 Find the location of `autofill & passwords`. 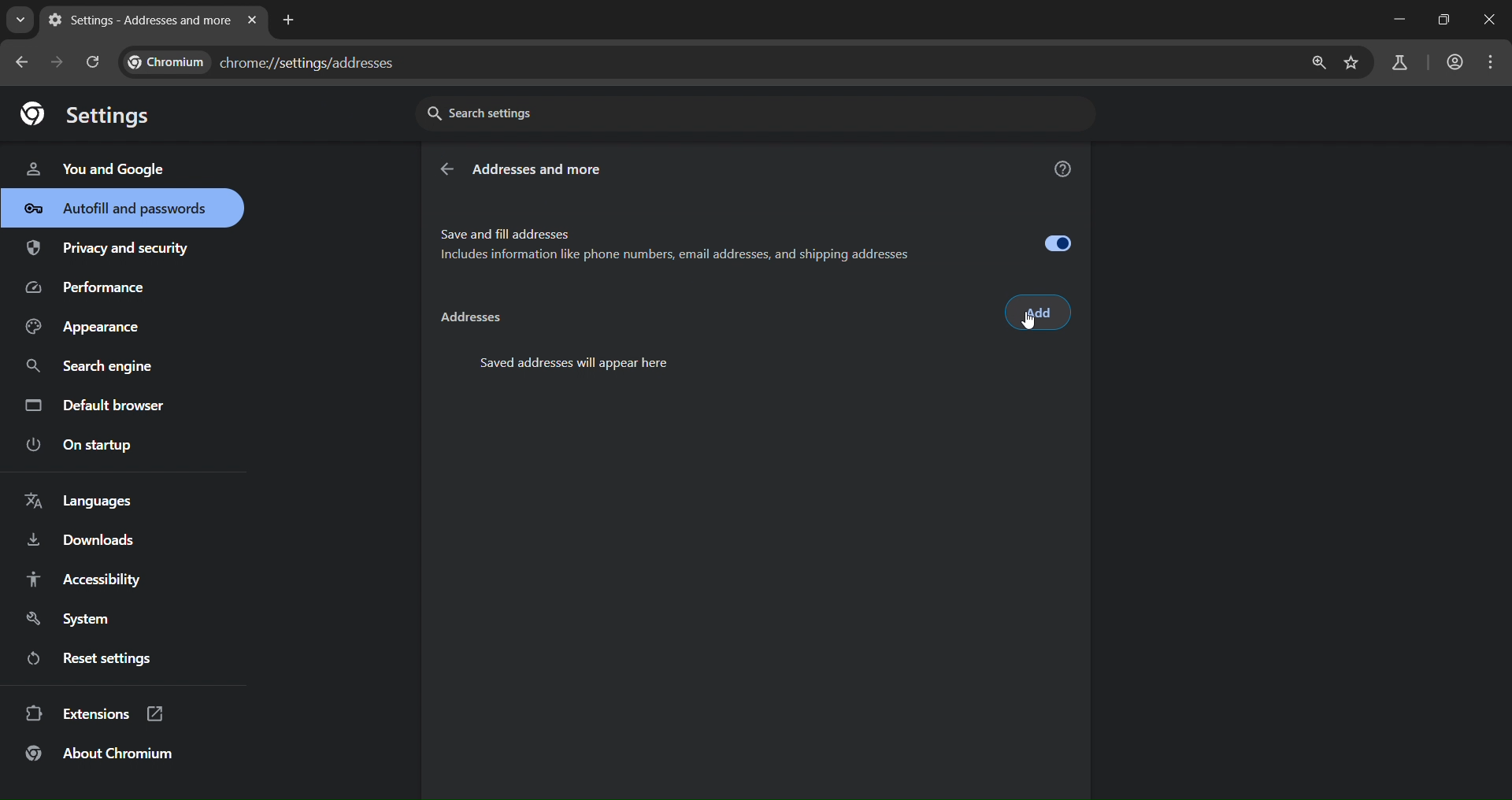

autofill & passwords is located at coordinates (122, 208).